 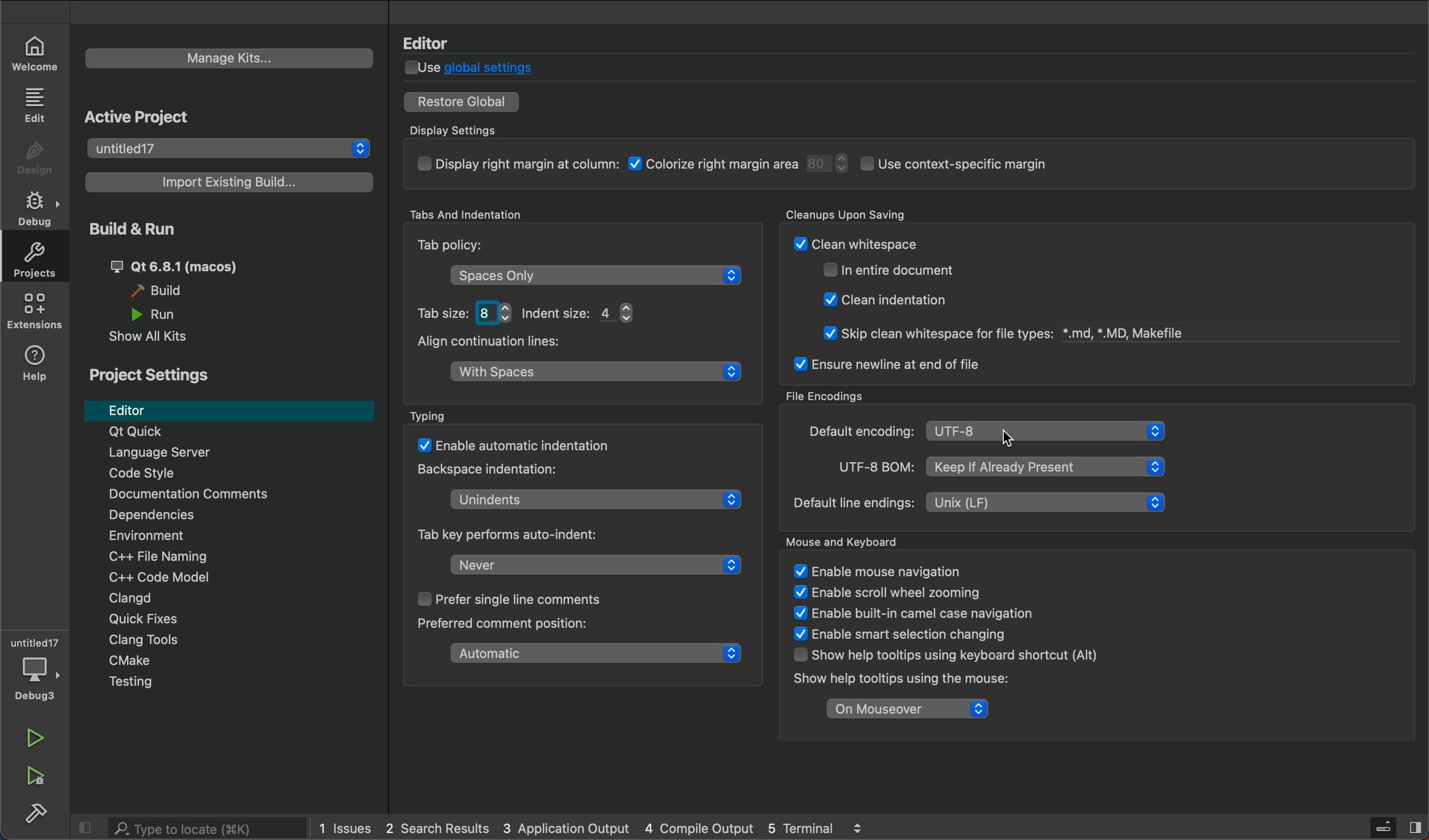 What do you see at coordinates (599, 653) in the screenshot?
I see `comment position ` at bounding box center [599, 653].